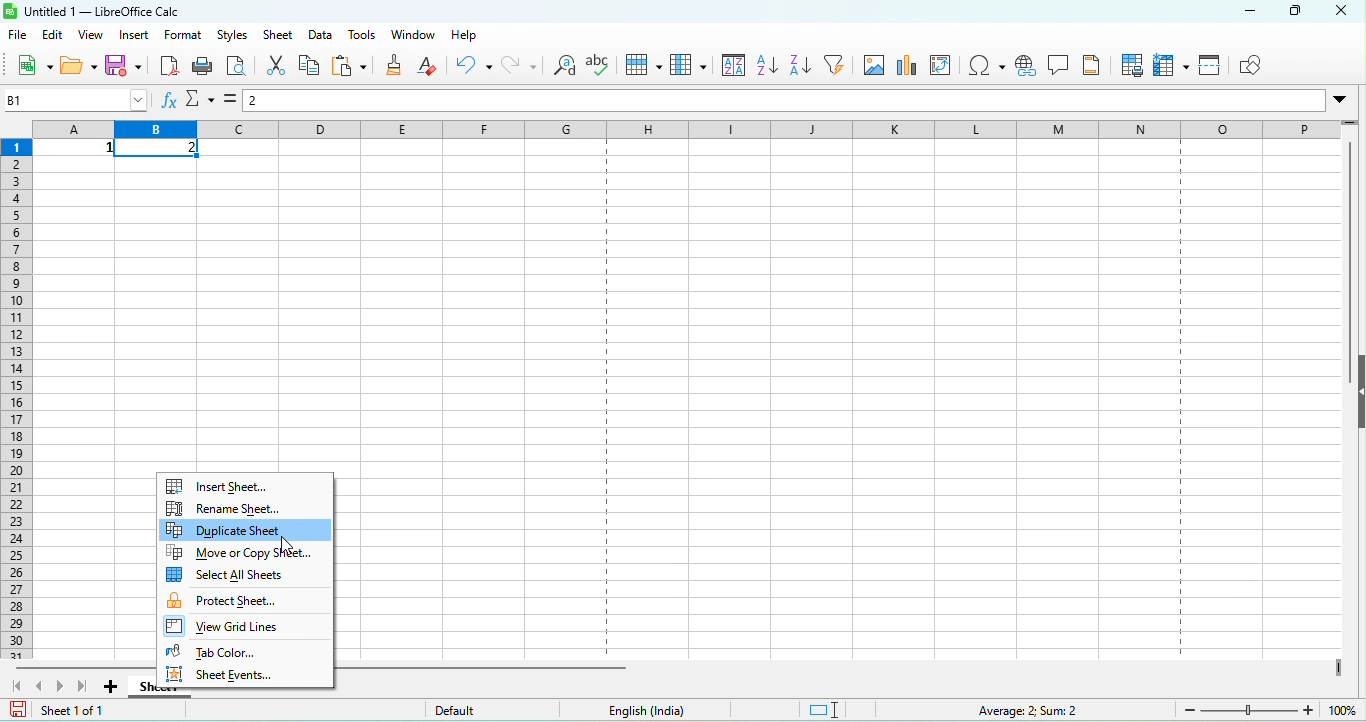  Describe the element at coordinates (241, 69) in the screenshot. I see `print preview` at that location.